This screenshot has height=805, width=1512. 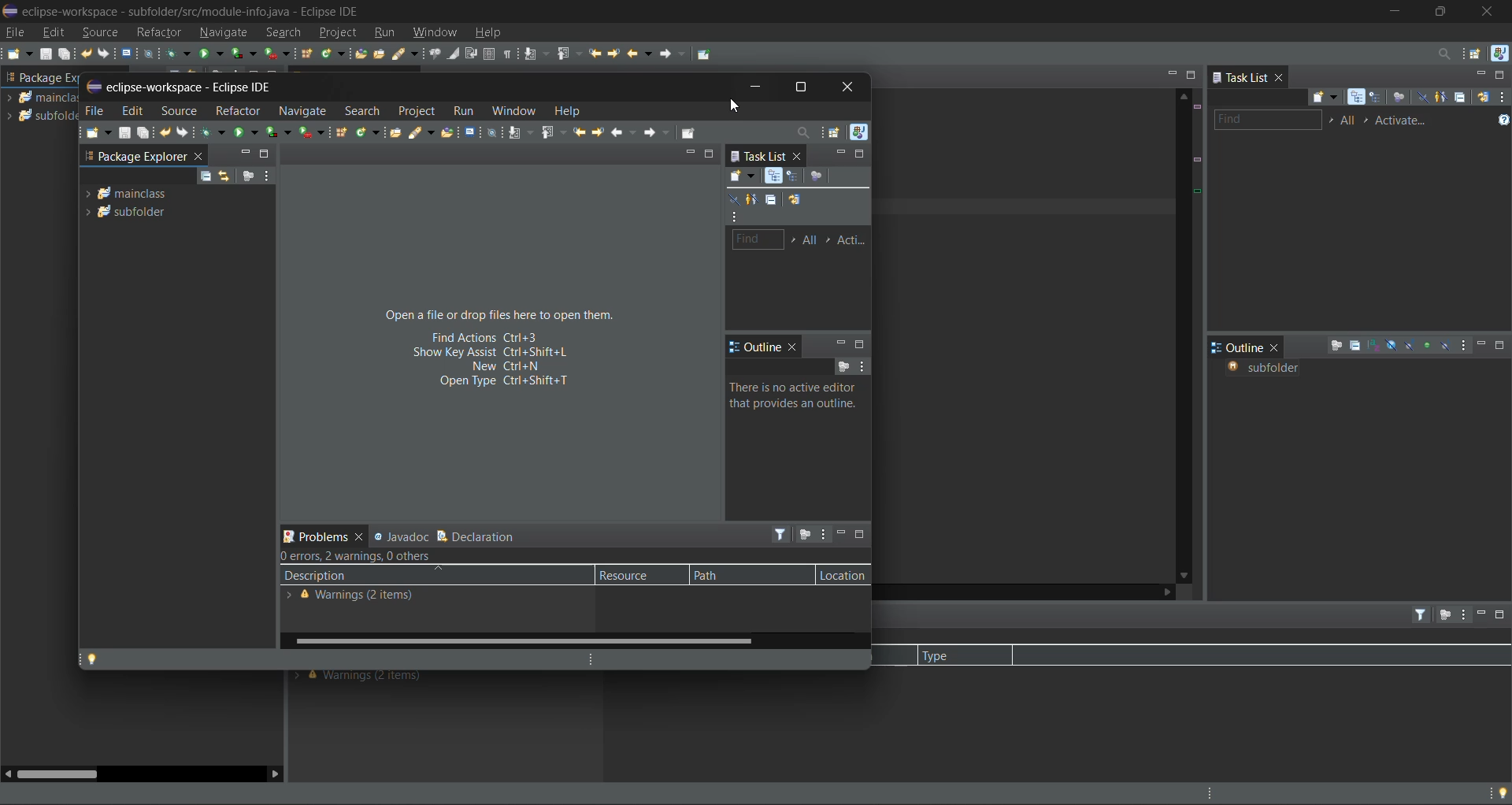 I want to click on maximize, so click(x=1442, y=14).